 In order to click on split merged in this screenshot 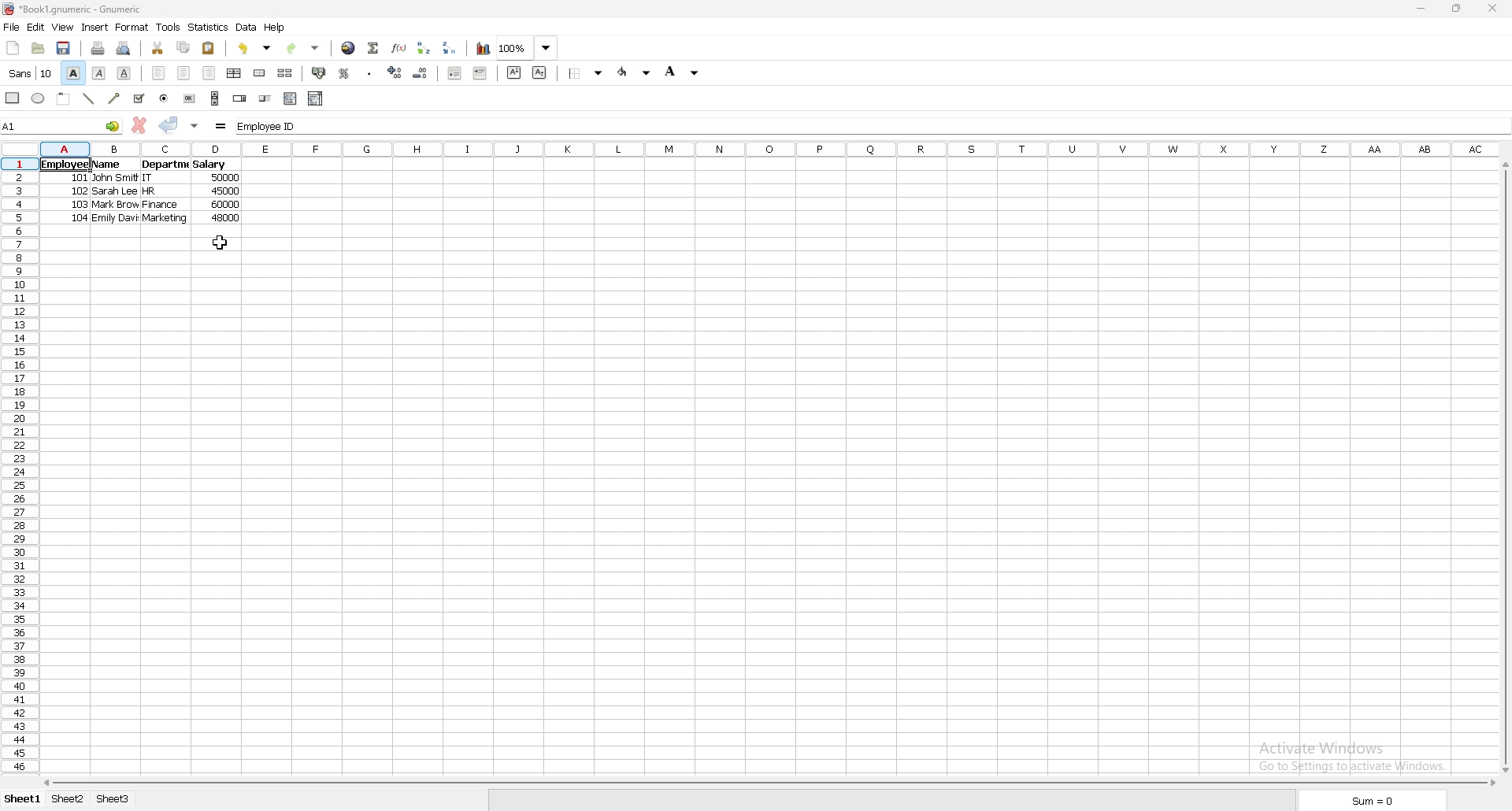, I will do `click(286, 72)`.